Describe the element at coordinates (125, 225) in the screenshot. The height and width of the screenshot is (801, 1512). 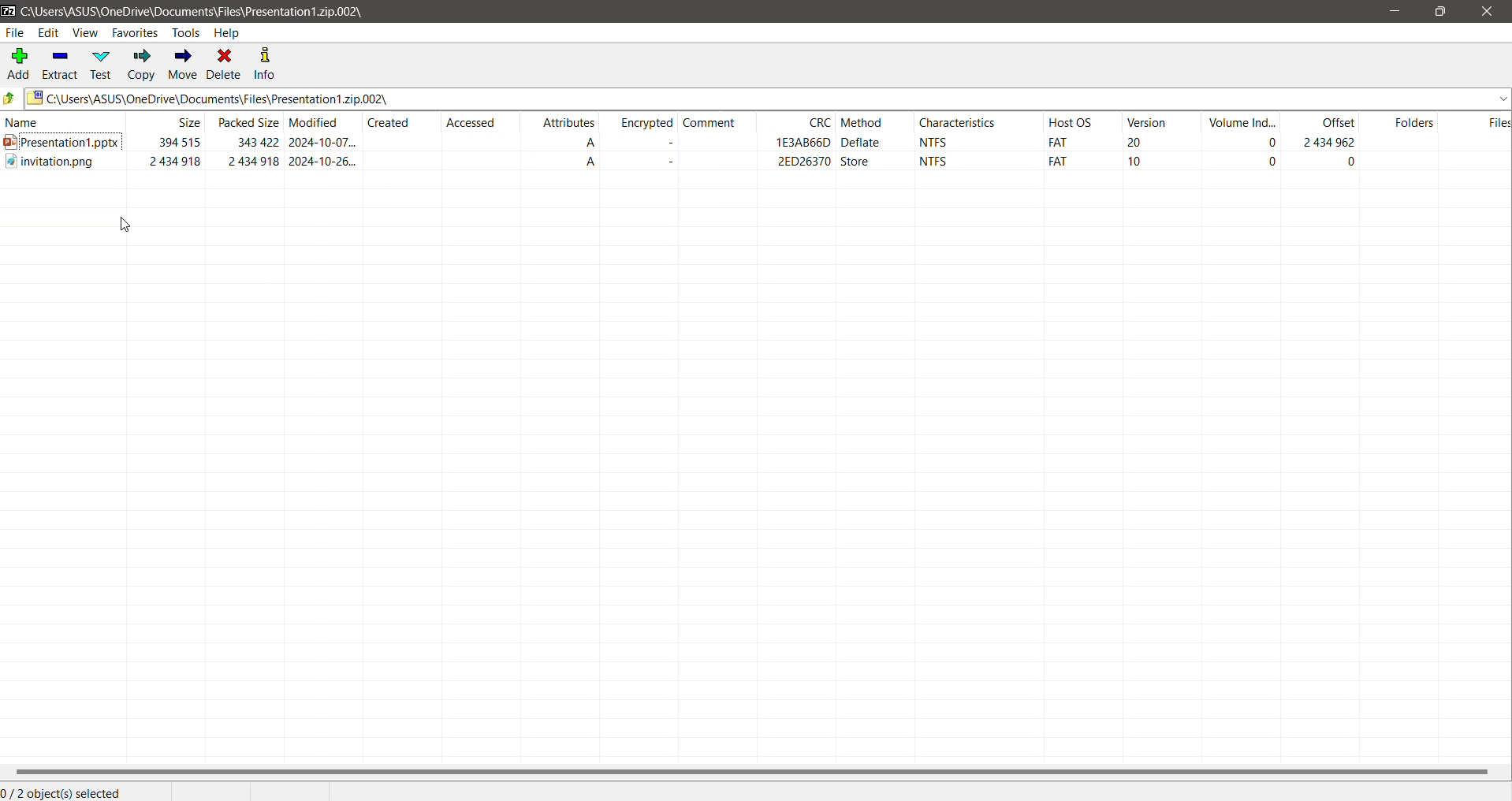
I see `Cursor` at that location.